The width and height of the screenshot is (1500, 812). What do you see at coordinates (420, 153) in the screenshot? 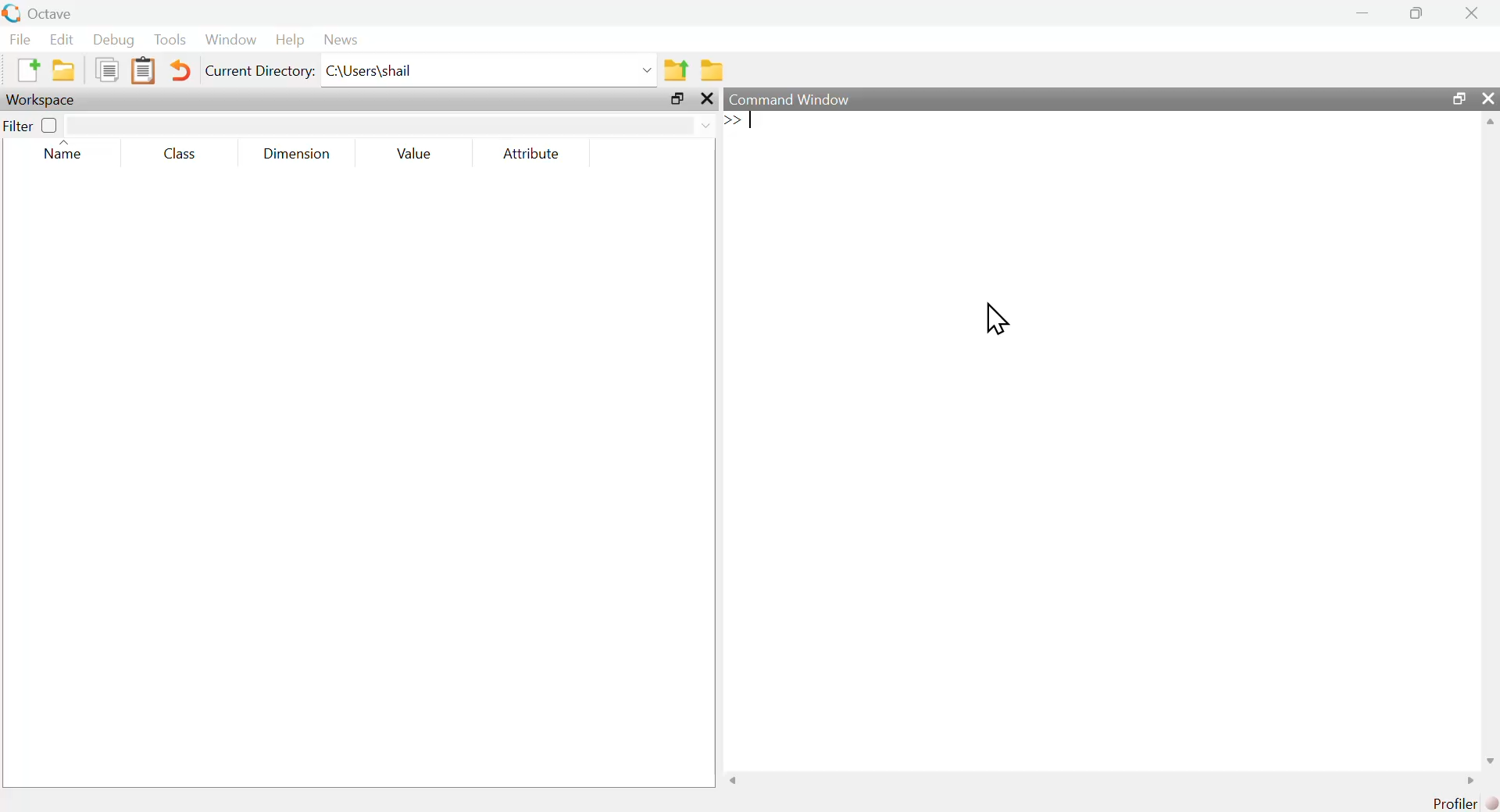
I see `Value` at bounding box center [420, 153].